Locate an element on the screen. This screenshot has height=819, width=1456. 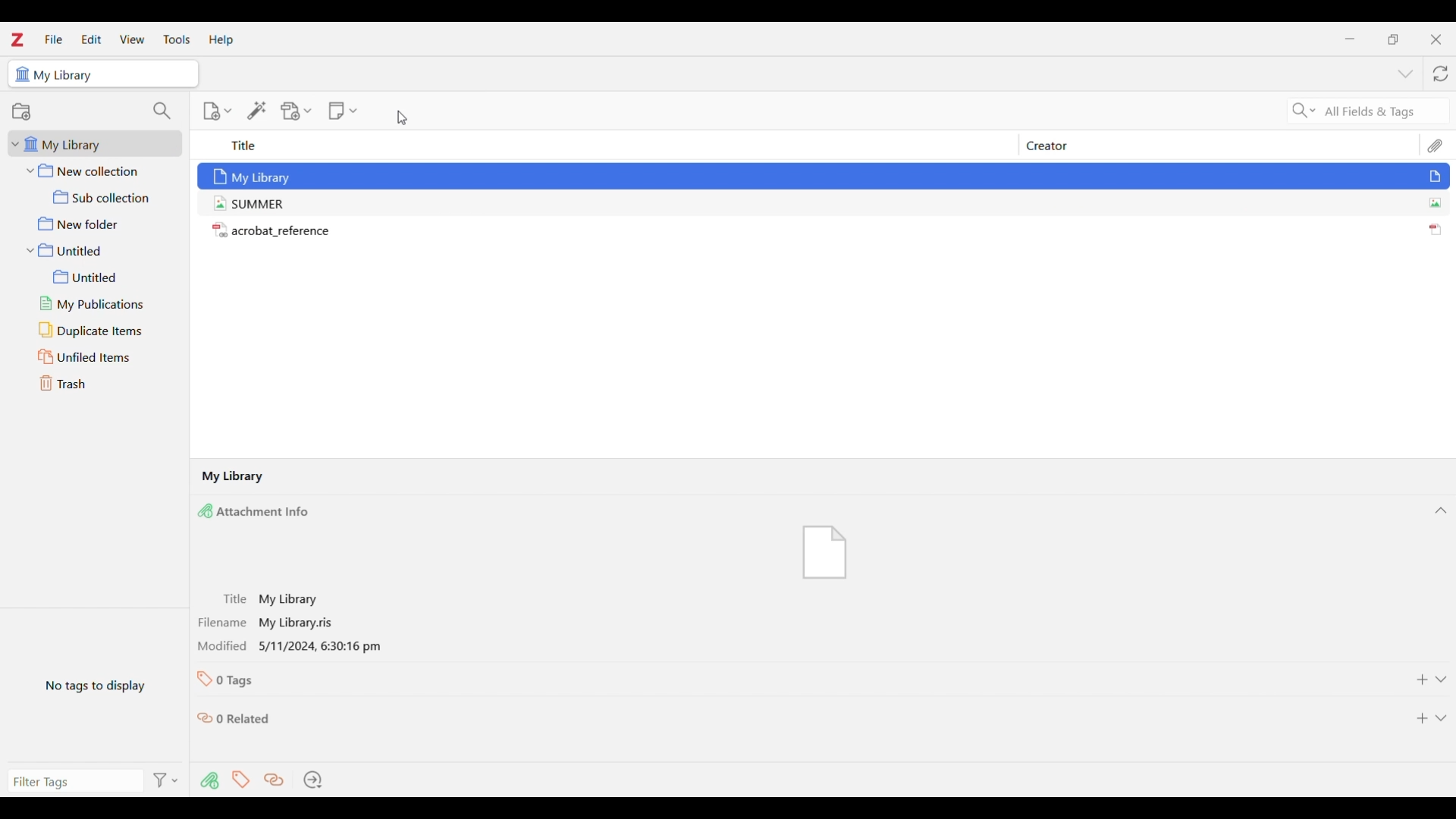
modification date is located at coordinates (293, 647).